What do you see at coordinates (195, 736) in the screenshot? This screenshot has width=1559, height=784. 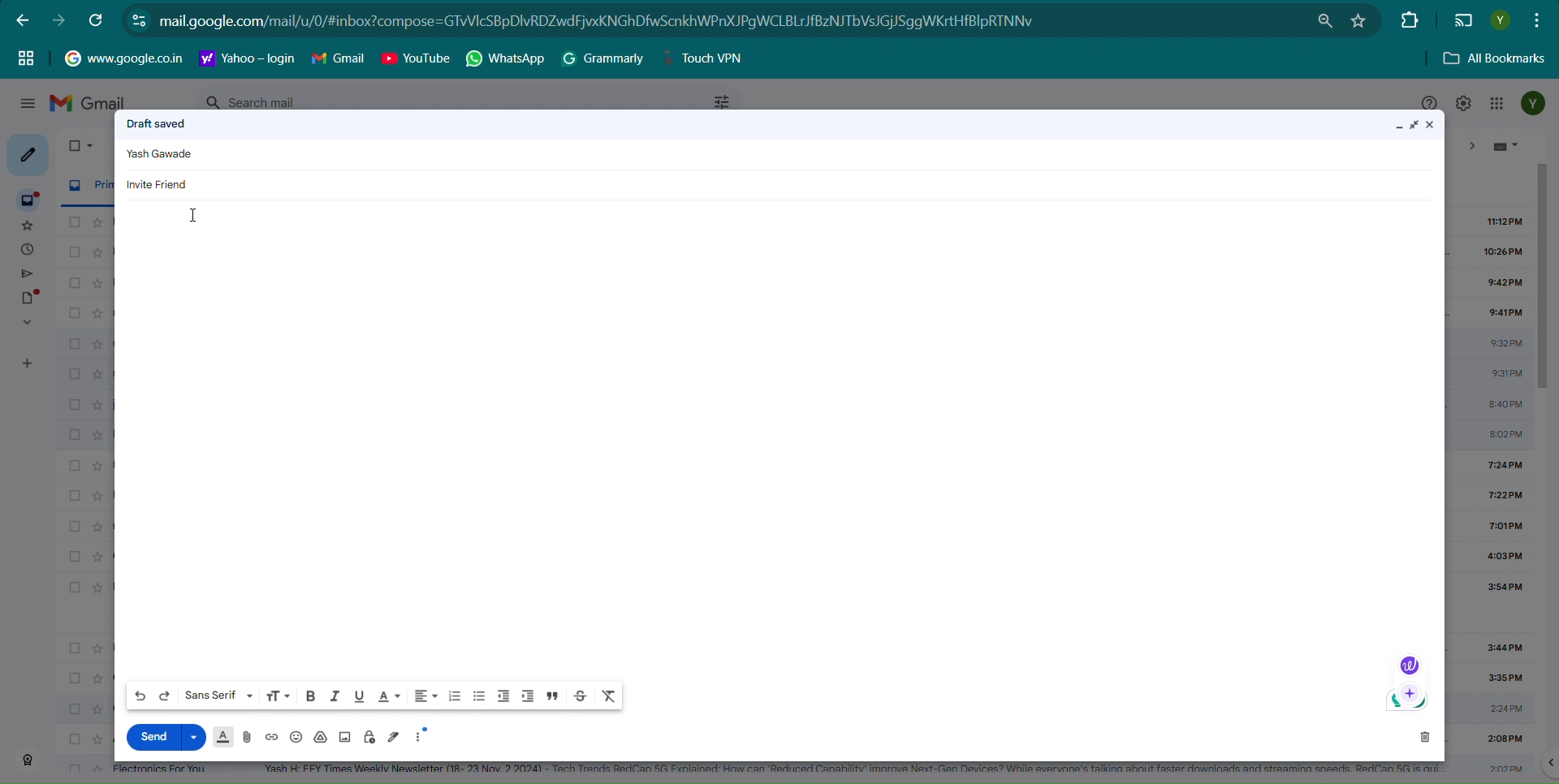 I see `More send option` at bounding box center [195, 736].